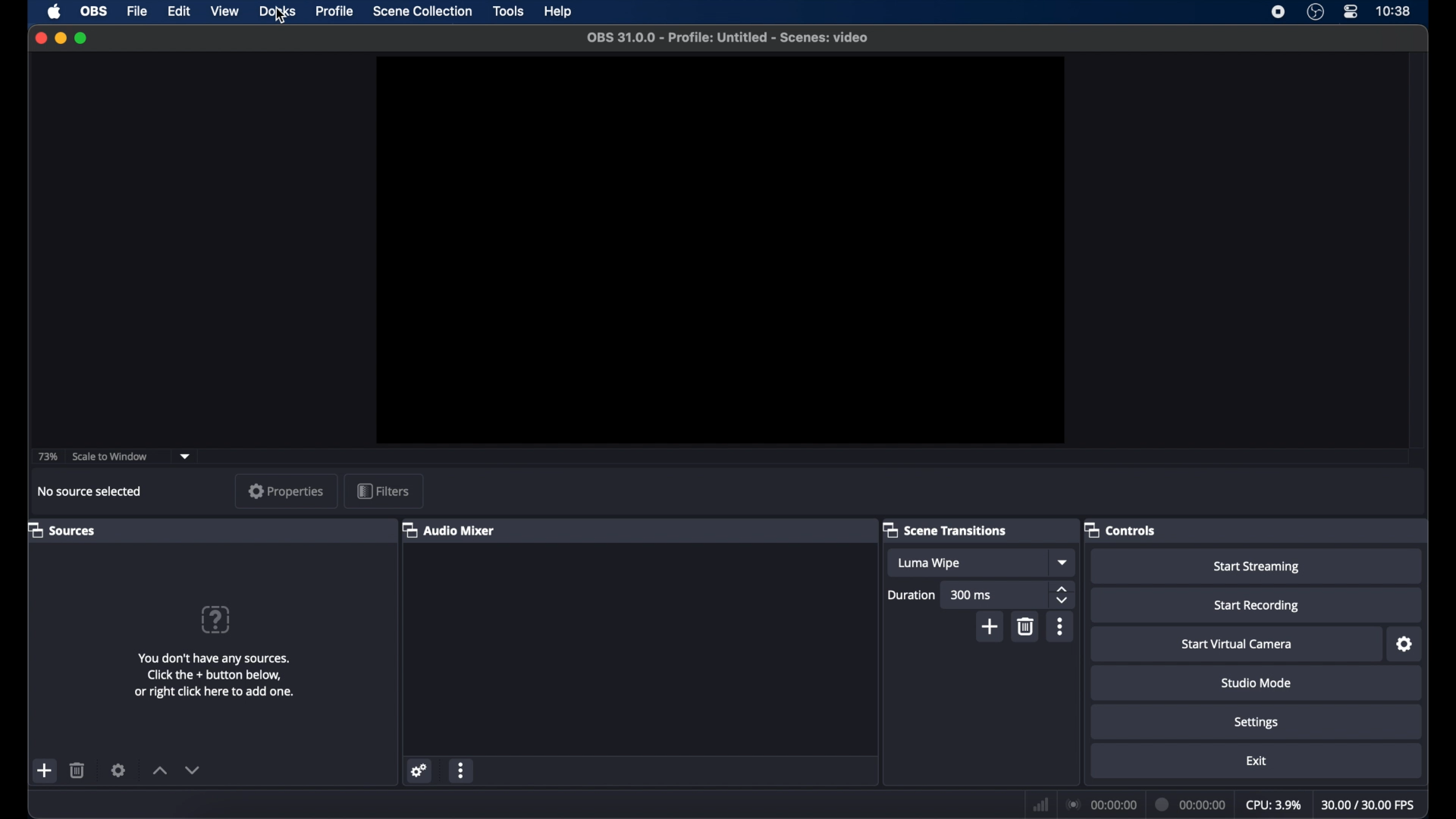 Image resolution: width=1456 pixels, height=819 pixels. What do you see at coordinates (60, 37) in the screenshot?
I see `minimize` at bounding box center [60, 37].